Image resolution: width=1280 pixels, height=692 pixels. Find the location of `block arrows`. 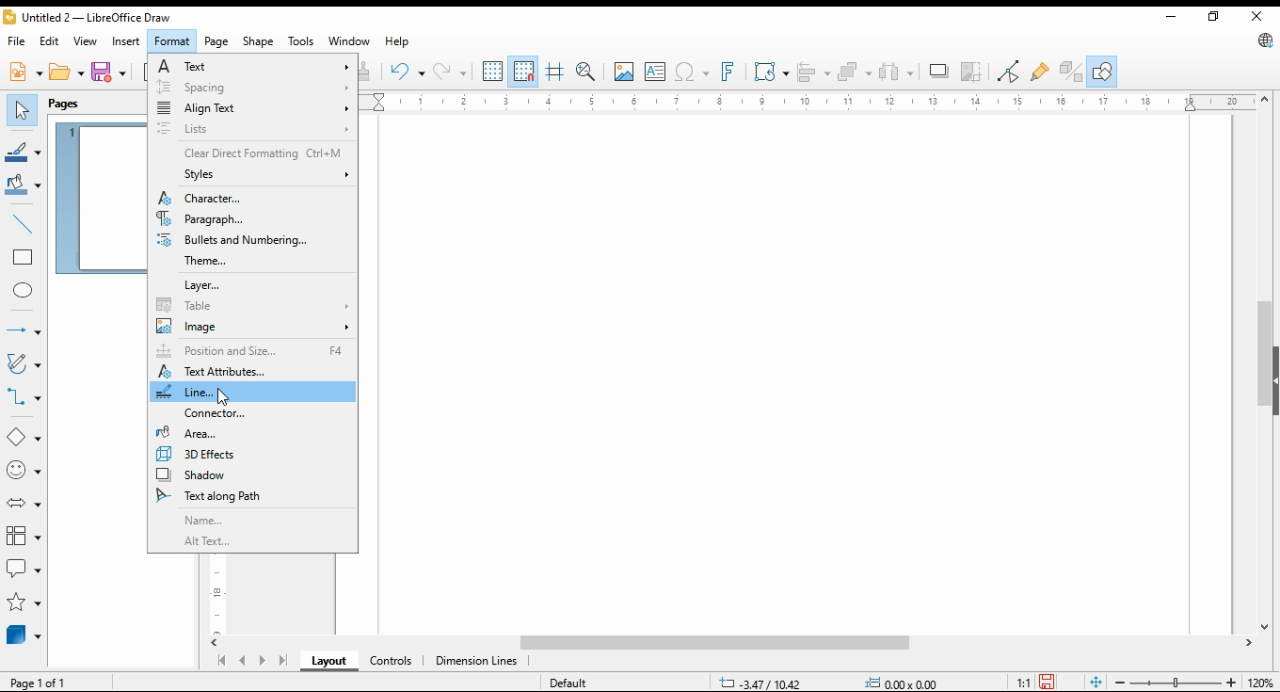

block arrows is located at coordinates (26, 503).